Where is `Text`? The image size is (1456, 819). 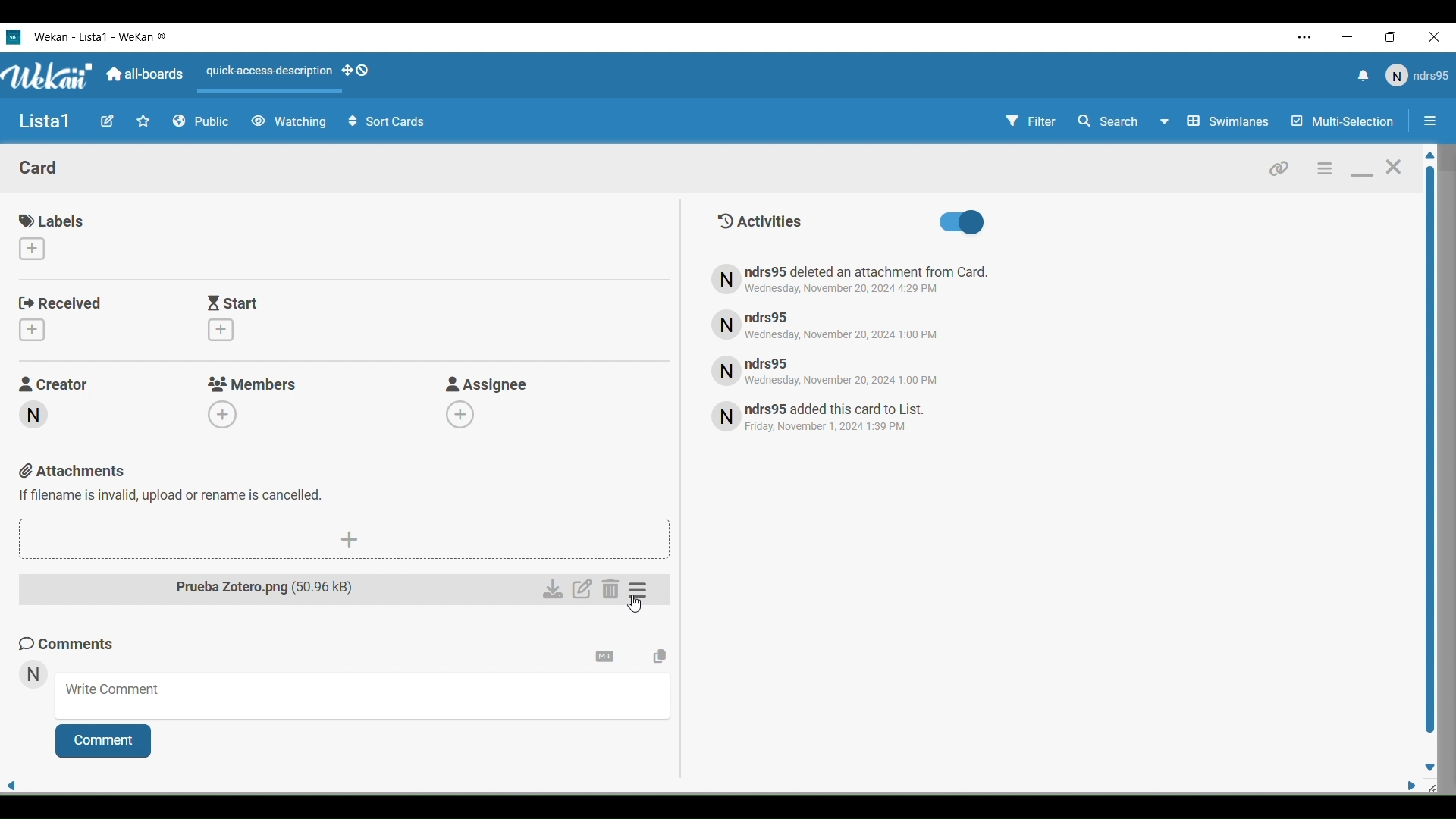 Text is located at coordinates (836, 419).